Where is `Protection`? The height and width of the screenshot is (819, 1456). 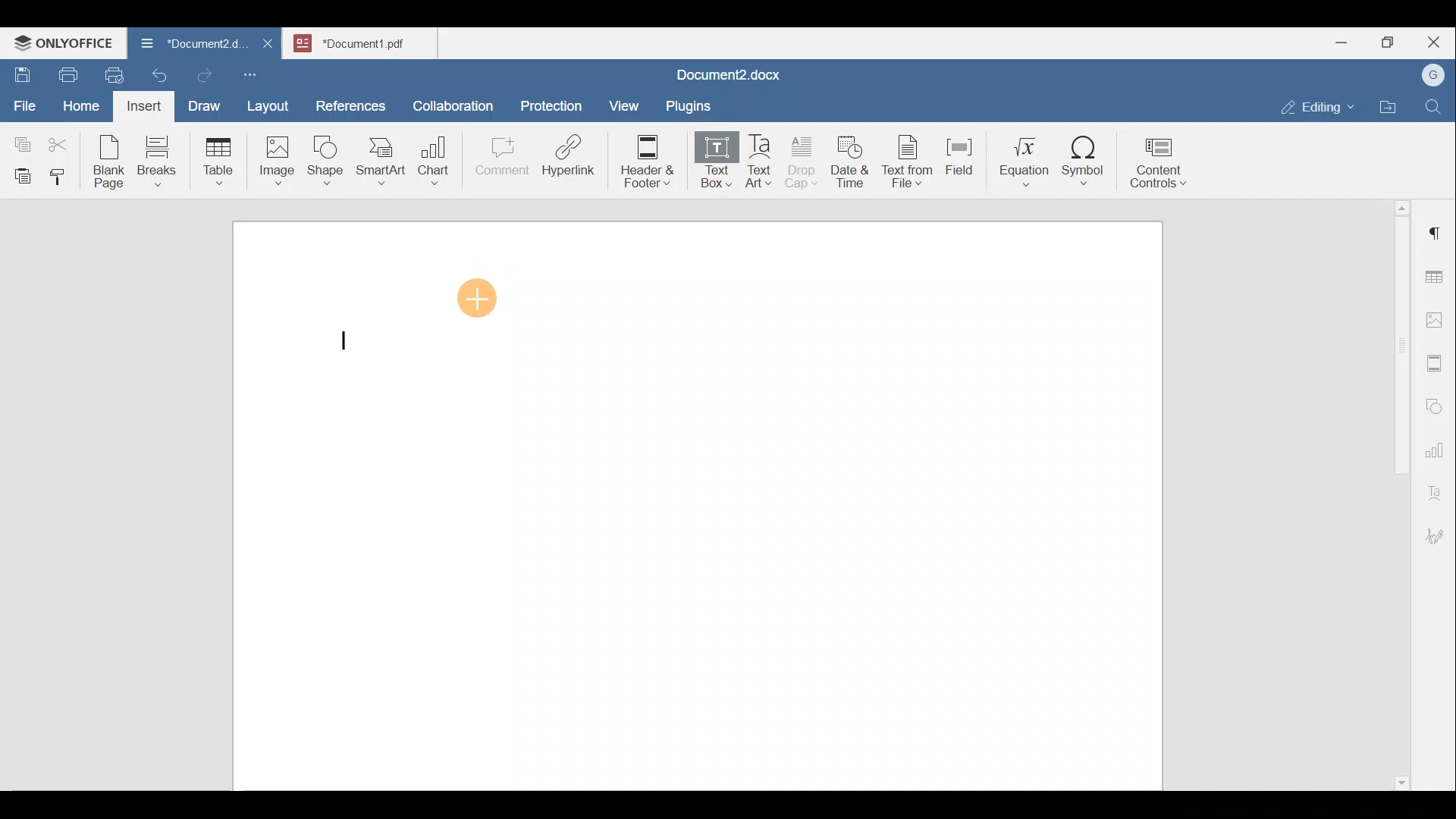
Protection is located at coordinates (556, 104).